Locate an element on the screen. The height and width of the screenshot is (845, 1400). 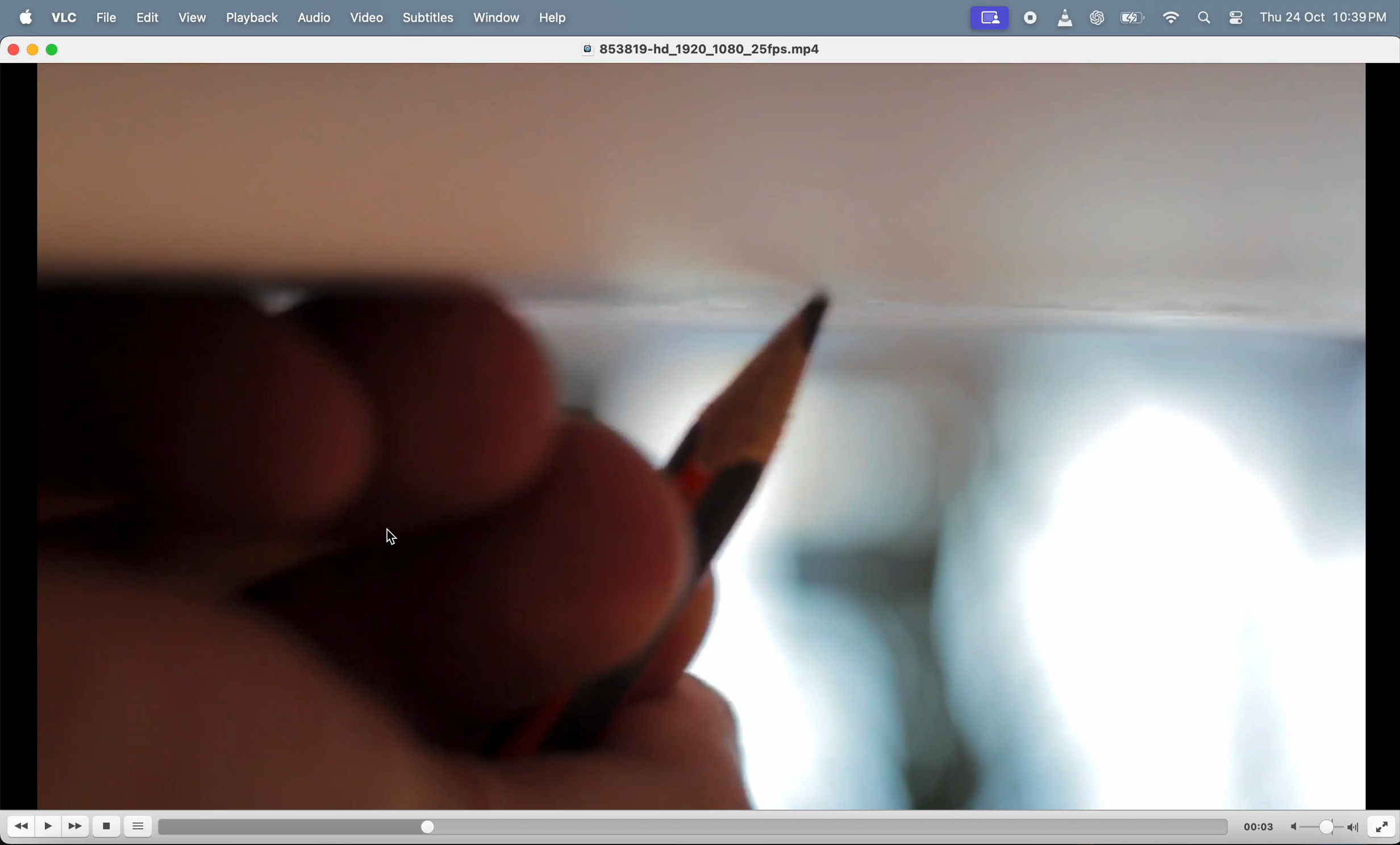
playback is located at coordinates (253, 17).